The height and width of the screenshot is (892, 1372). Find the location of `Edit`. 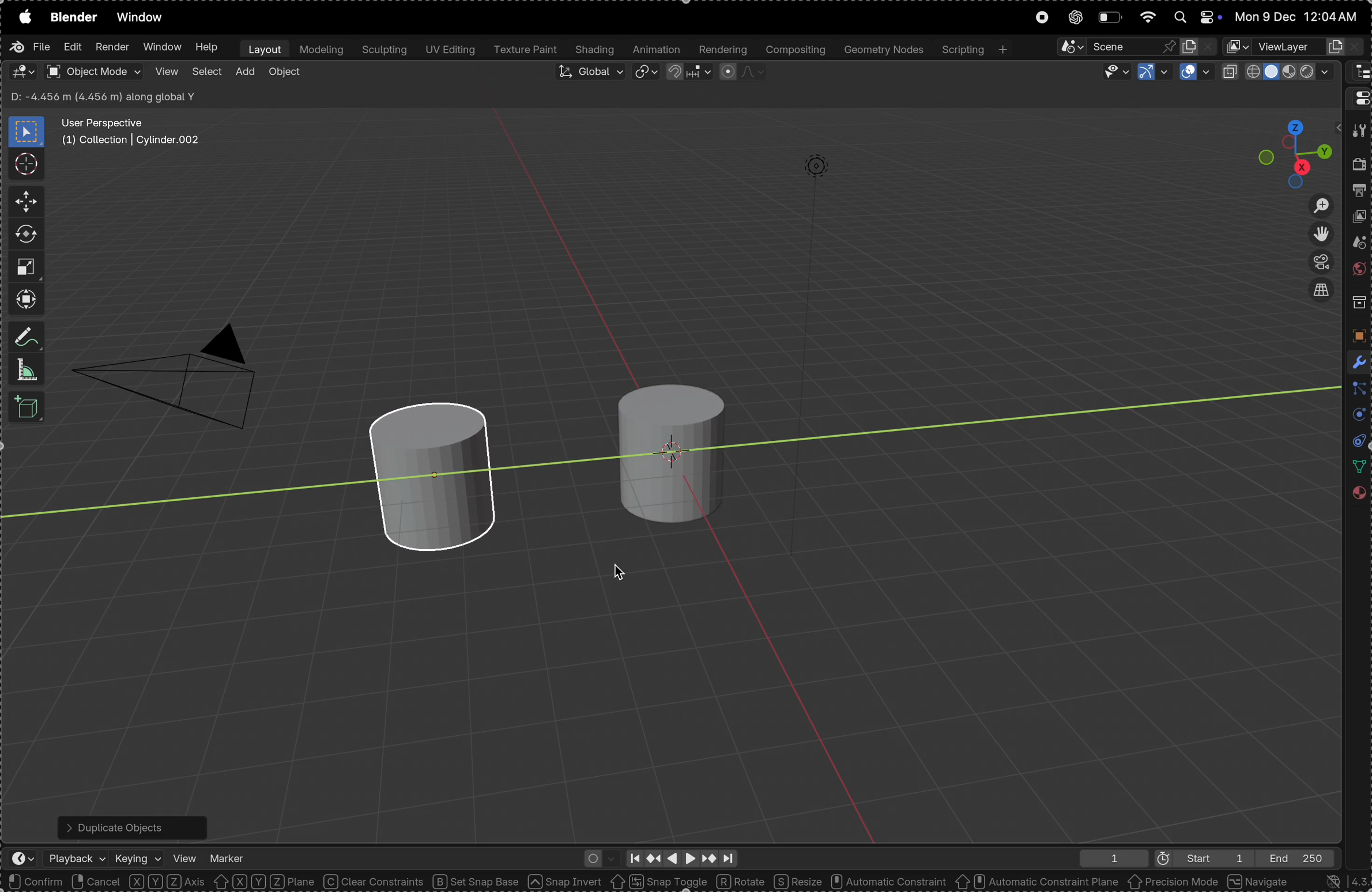

Edit is located at coordinates (70, 48).